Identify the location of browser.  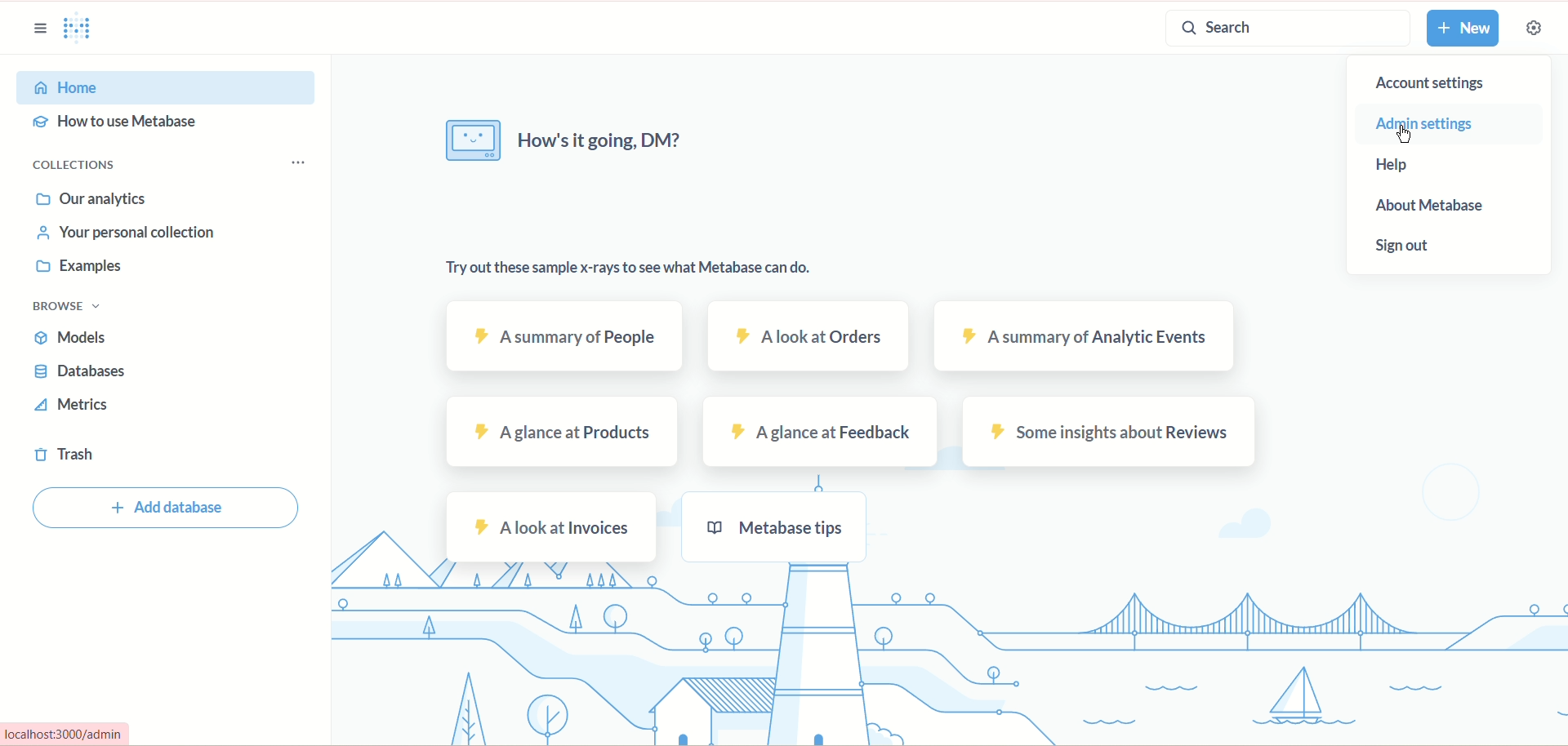
(75, 308).